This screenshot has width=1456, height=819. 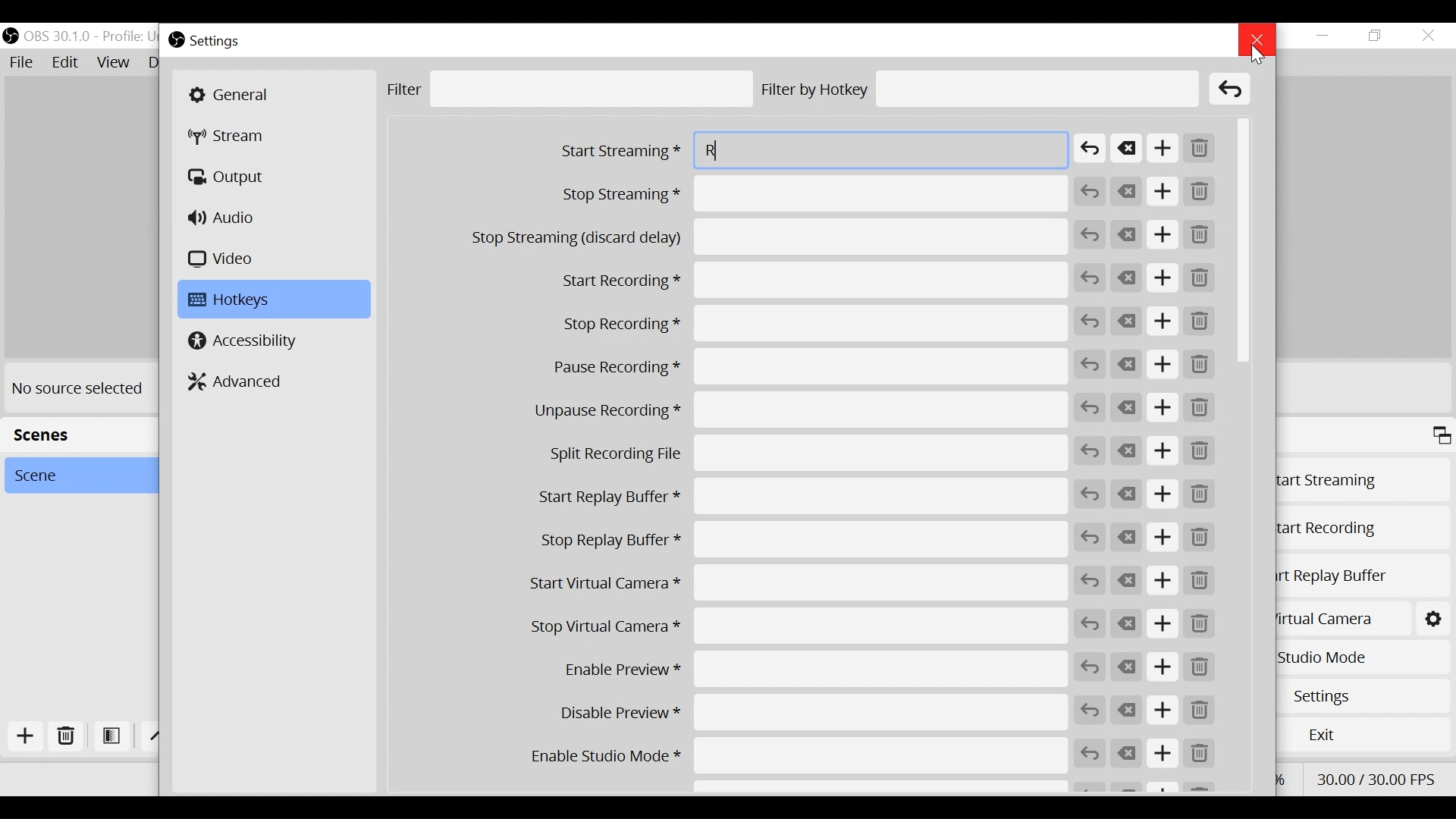 I want to click on Studio Mode, so click(x=1363, y=658).